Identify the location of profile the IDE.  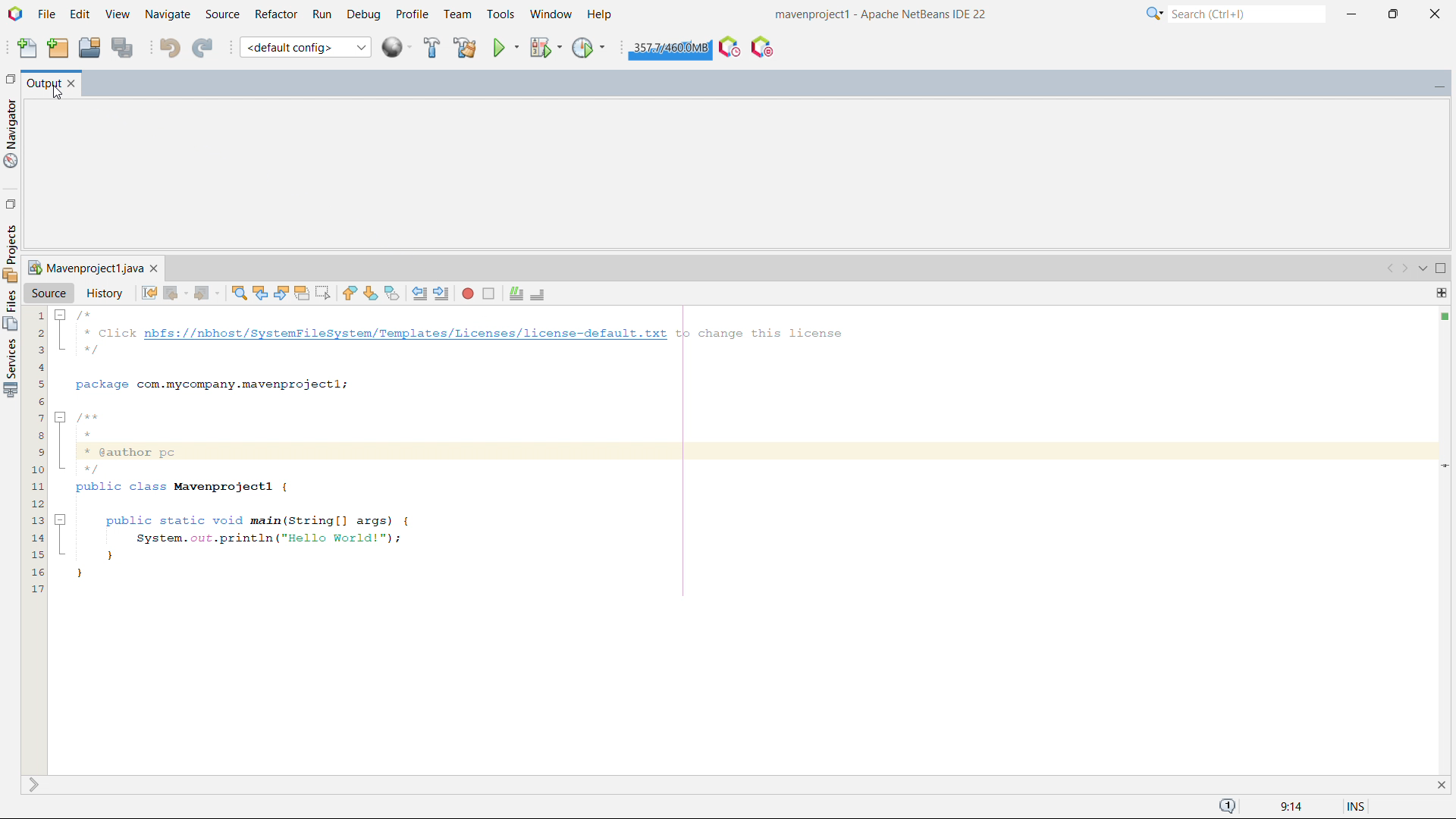
(730, 46).